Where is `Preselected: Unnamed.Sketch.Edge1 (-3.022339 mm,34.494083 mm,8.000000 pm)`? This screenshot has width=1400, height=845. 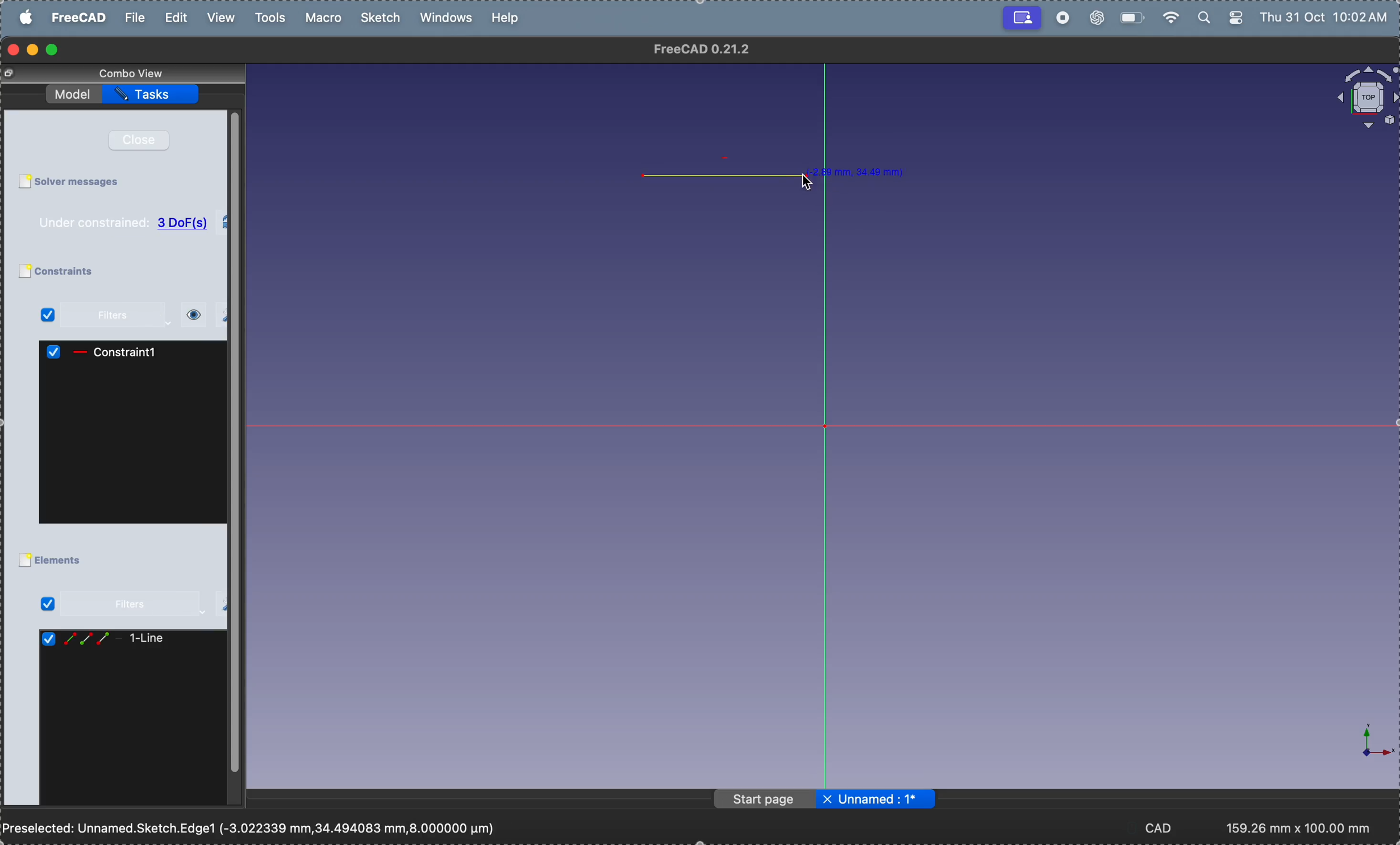 Preselected: Unnamed.Sketch.Edge1 (-3.022339 mm,34.494083 mm,8.000000 pm) is located at coordinates (252, 829).